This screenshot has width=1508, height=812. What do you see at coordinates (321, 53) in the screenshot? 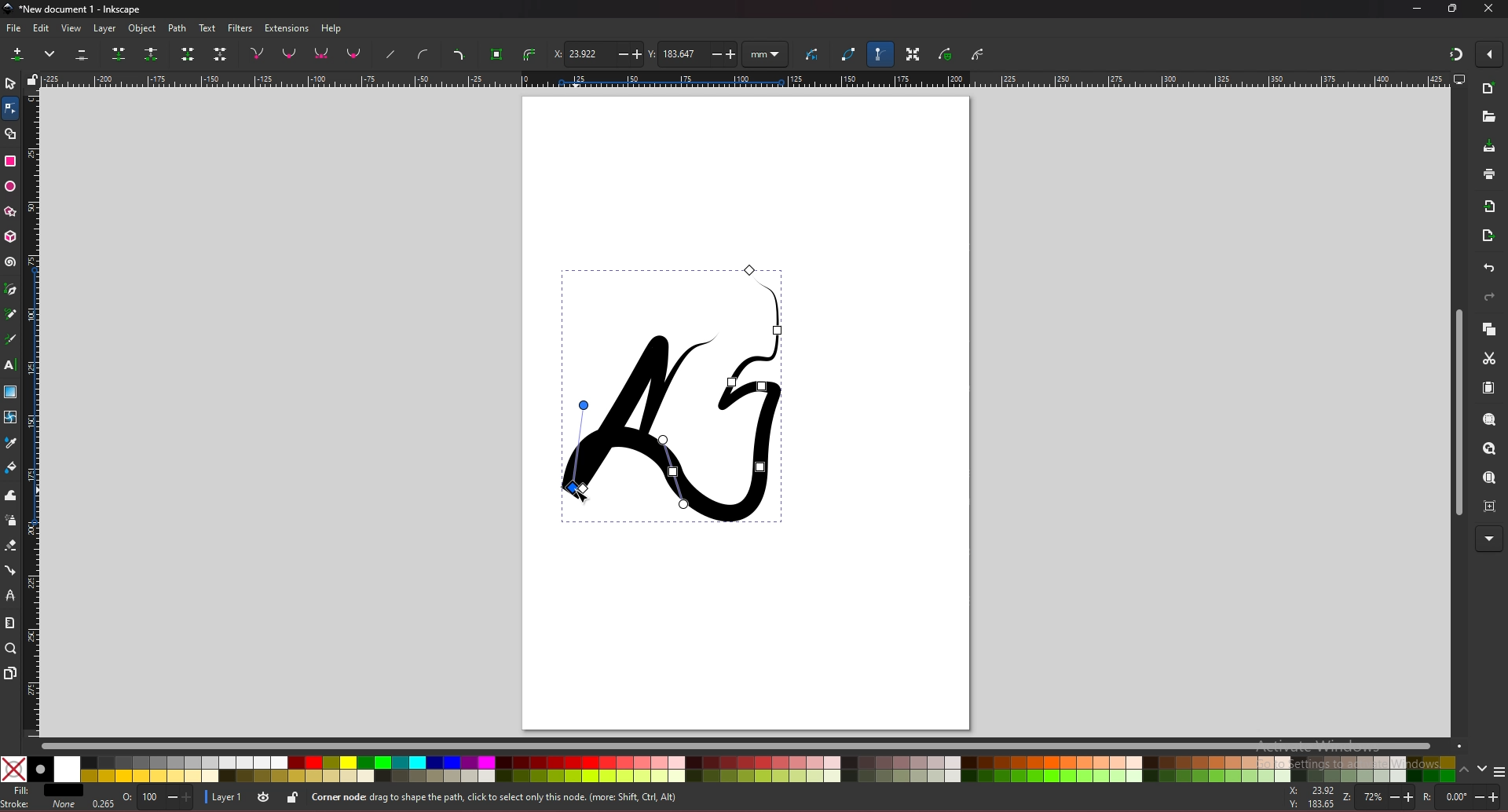
I see `symmetric node` at bounding box center [321, 53].